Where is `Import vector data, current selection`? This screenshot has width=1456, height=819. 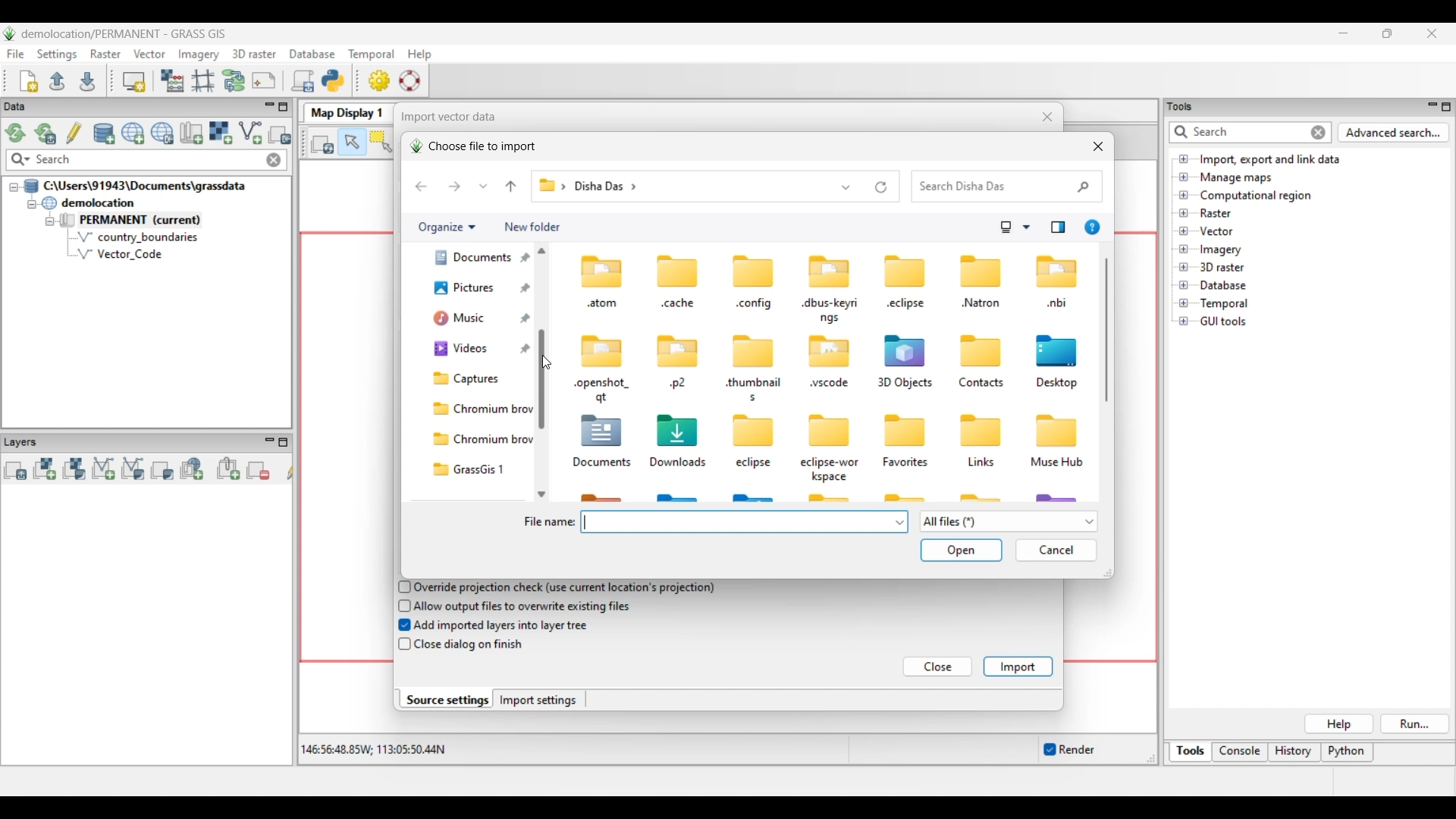
Import vector data, current selection is located at coordinates (250, 133).